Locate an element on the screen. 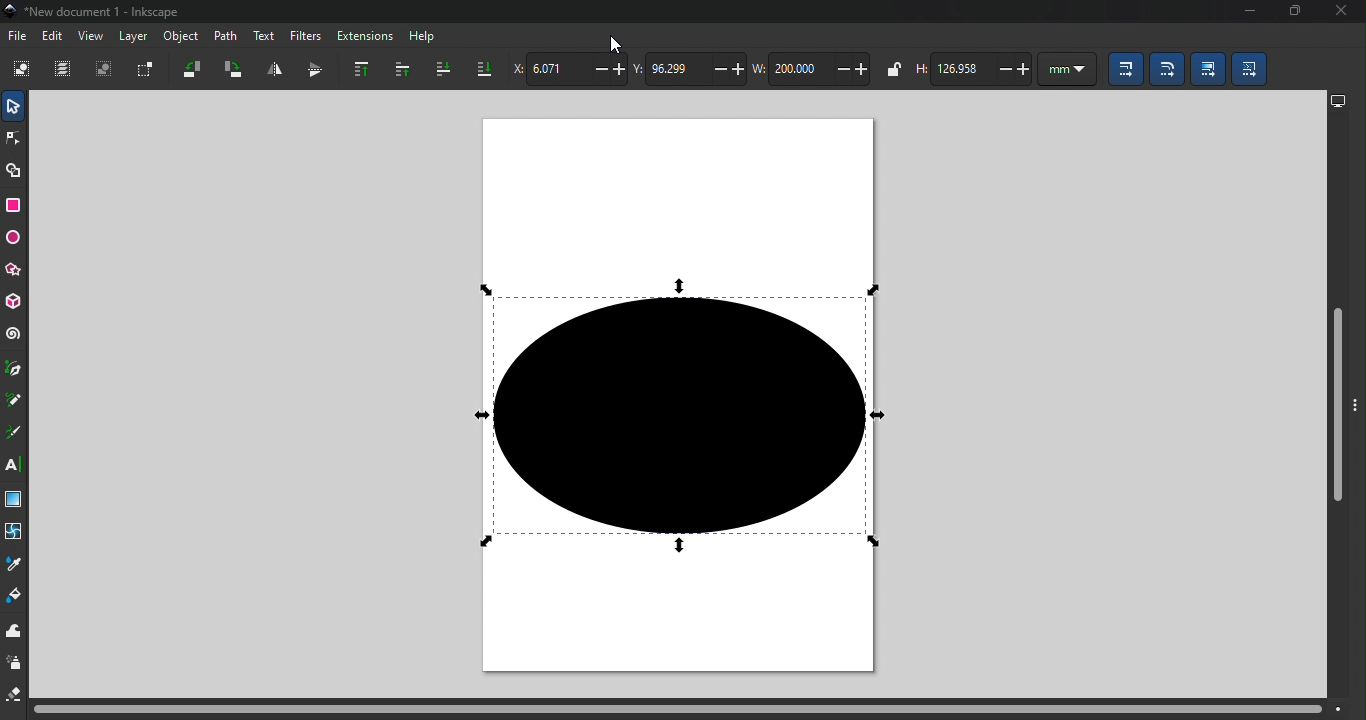  Toggle selection box to select all touched objects is located at coordinates (143, 70).